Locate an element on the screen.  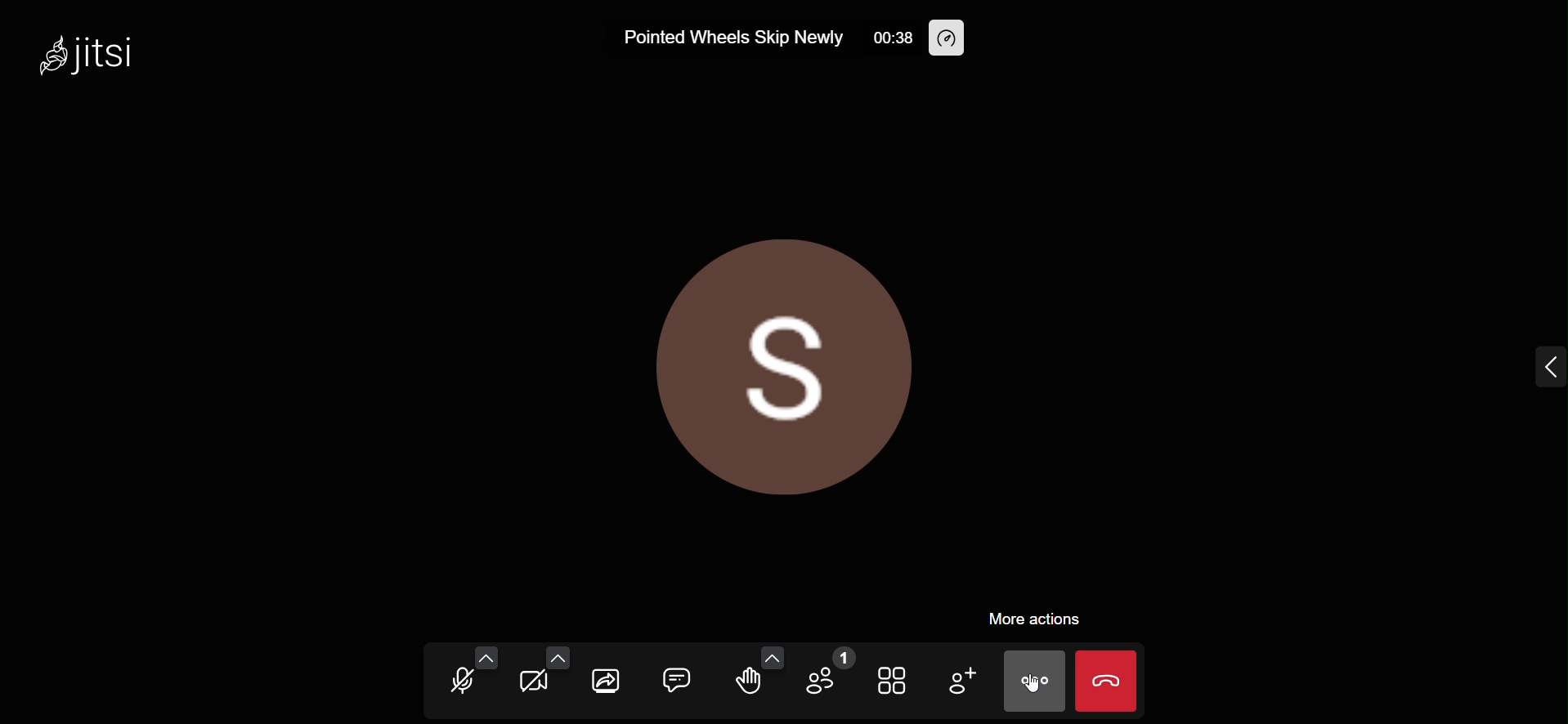
open chat is located at coordinates (674, 682).